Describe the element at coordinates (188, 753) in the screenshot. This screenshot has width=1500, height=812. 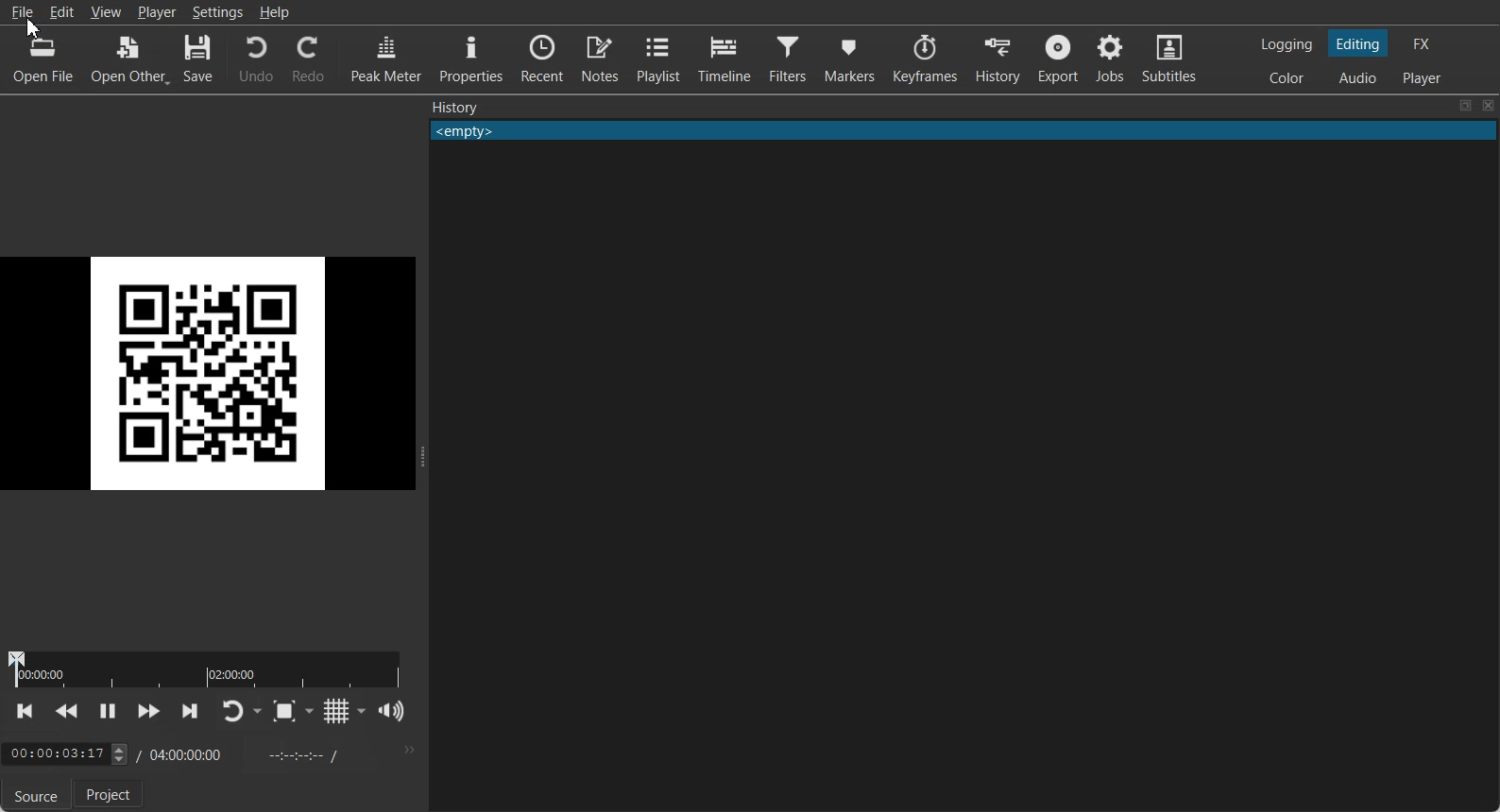
I see `Time` at that location.